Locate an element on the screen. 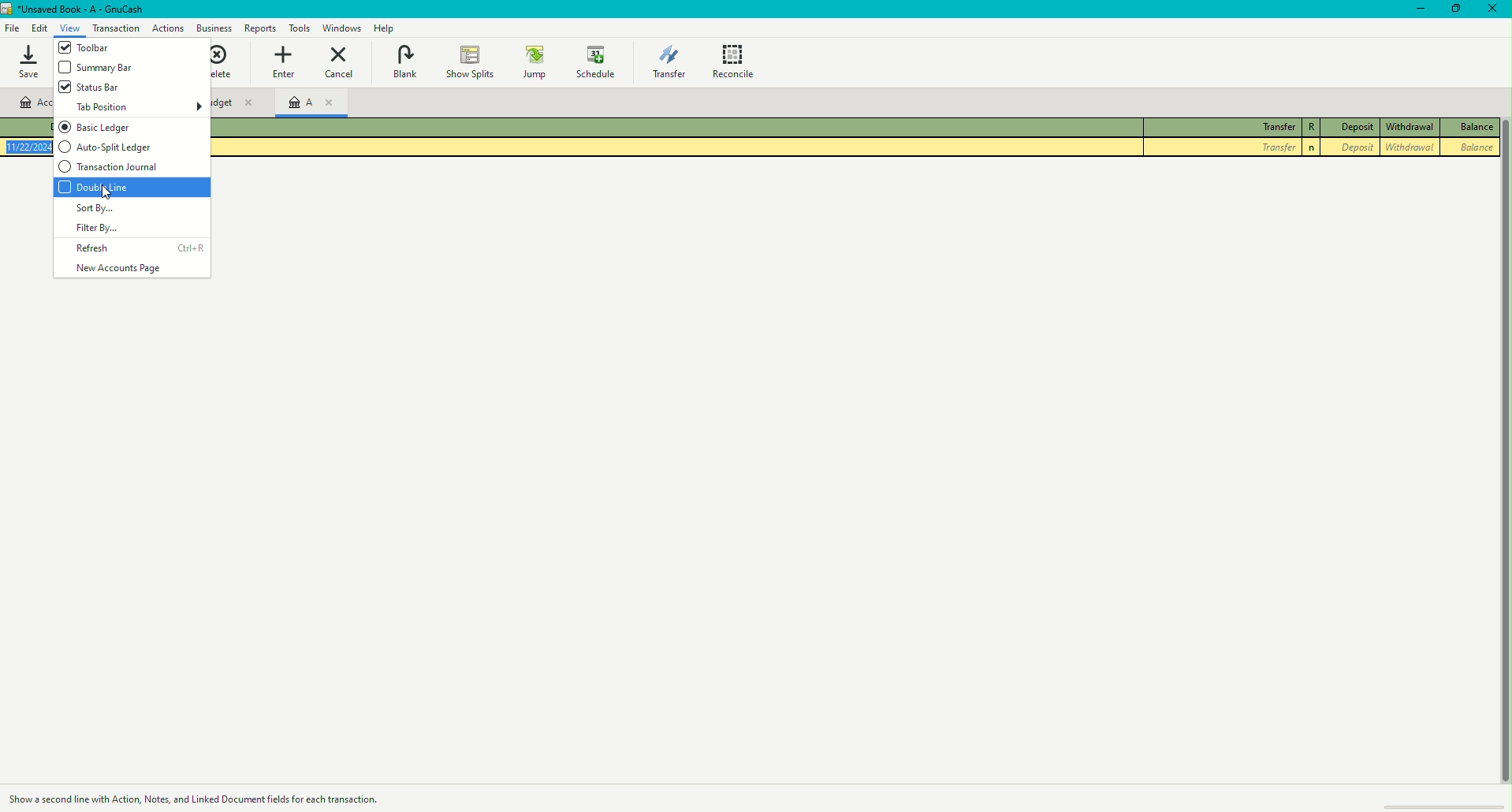  Tools is located at coordinates (260, 28).